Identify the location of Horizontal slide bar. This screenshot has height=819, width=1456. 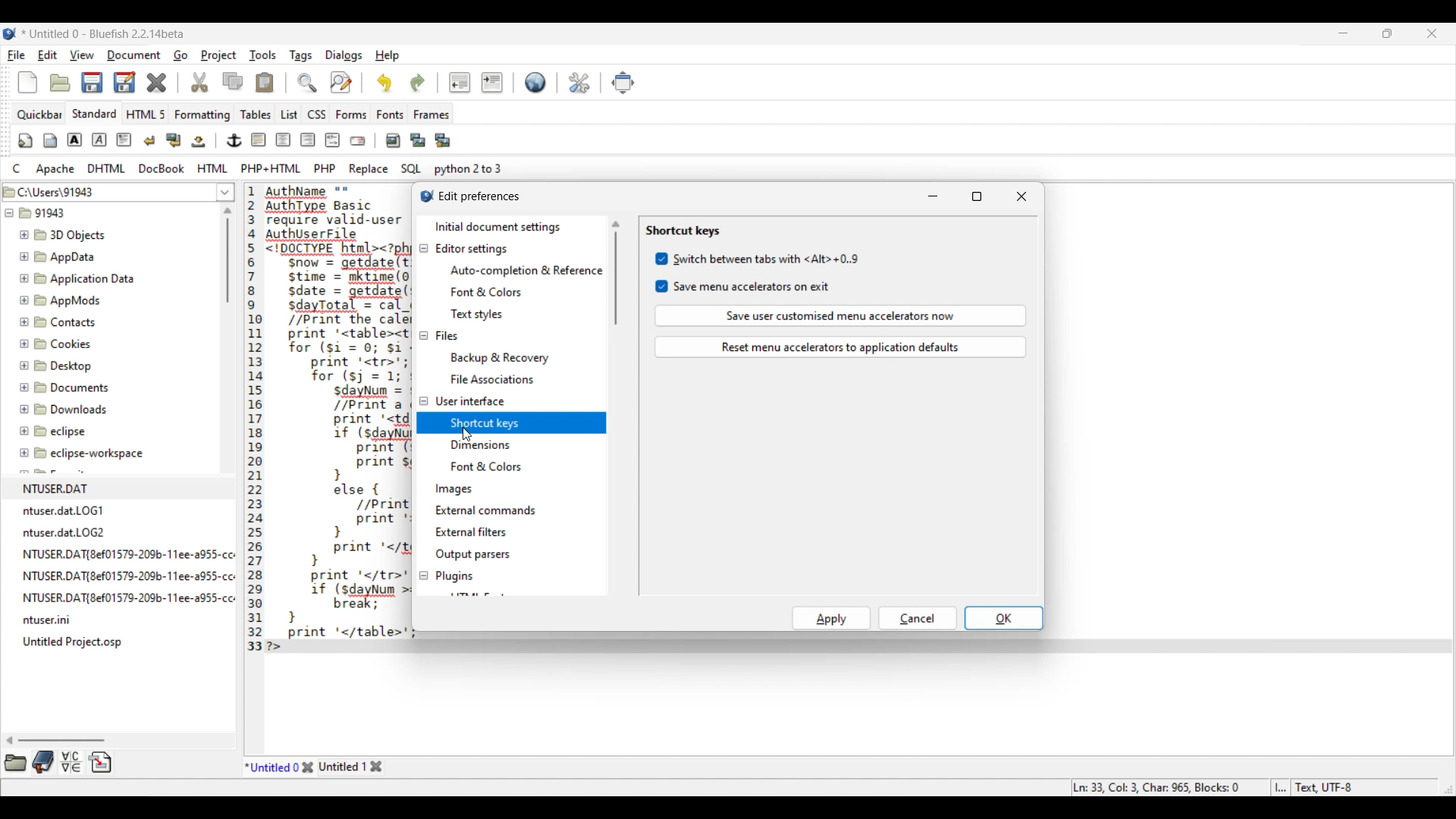
(55, 740).